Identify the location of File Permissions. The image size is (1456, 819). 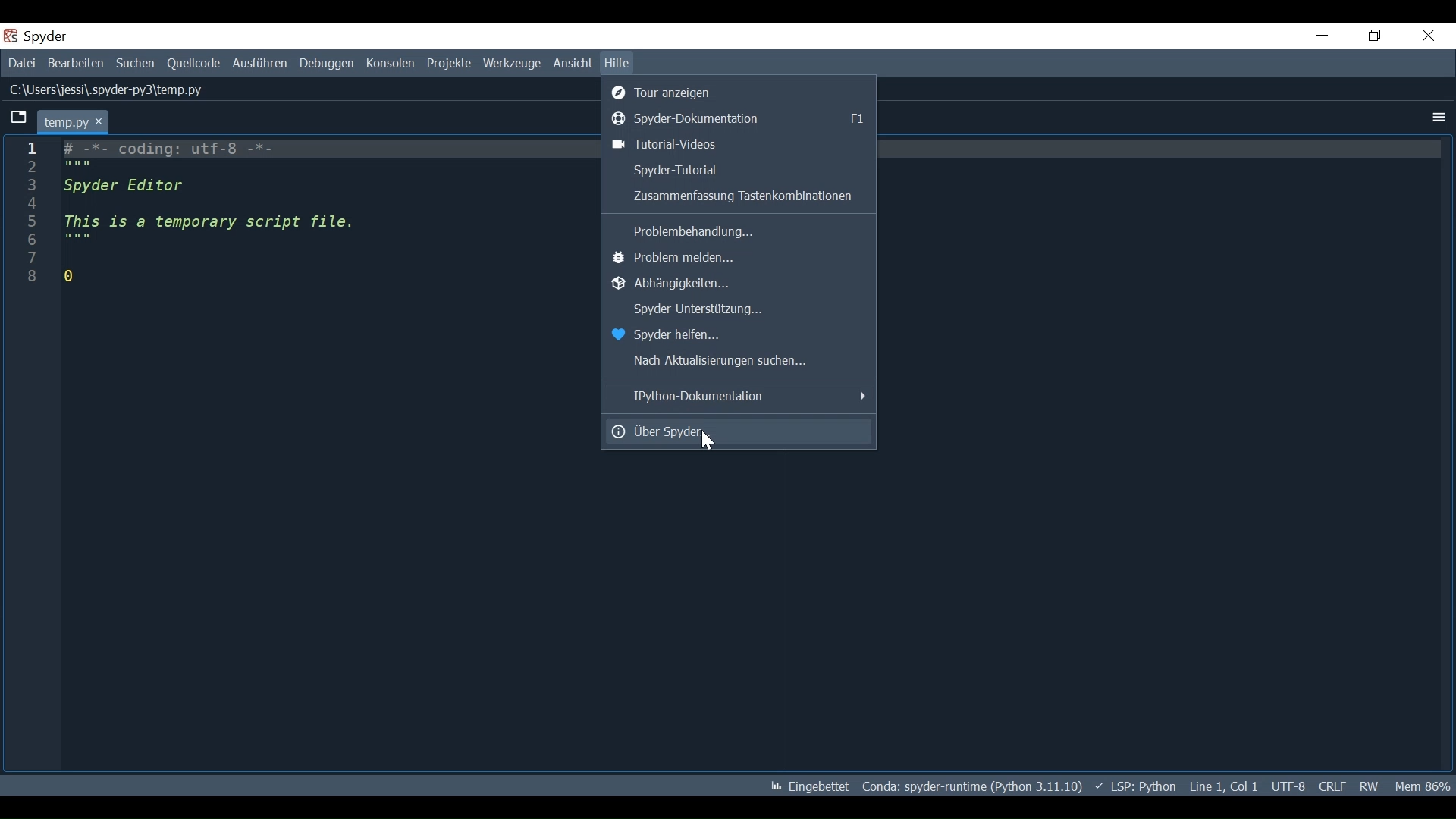
(1370, 786).